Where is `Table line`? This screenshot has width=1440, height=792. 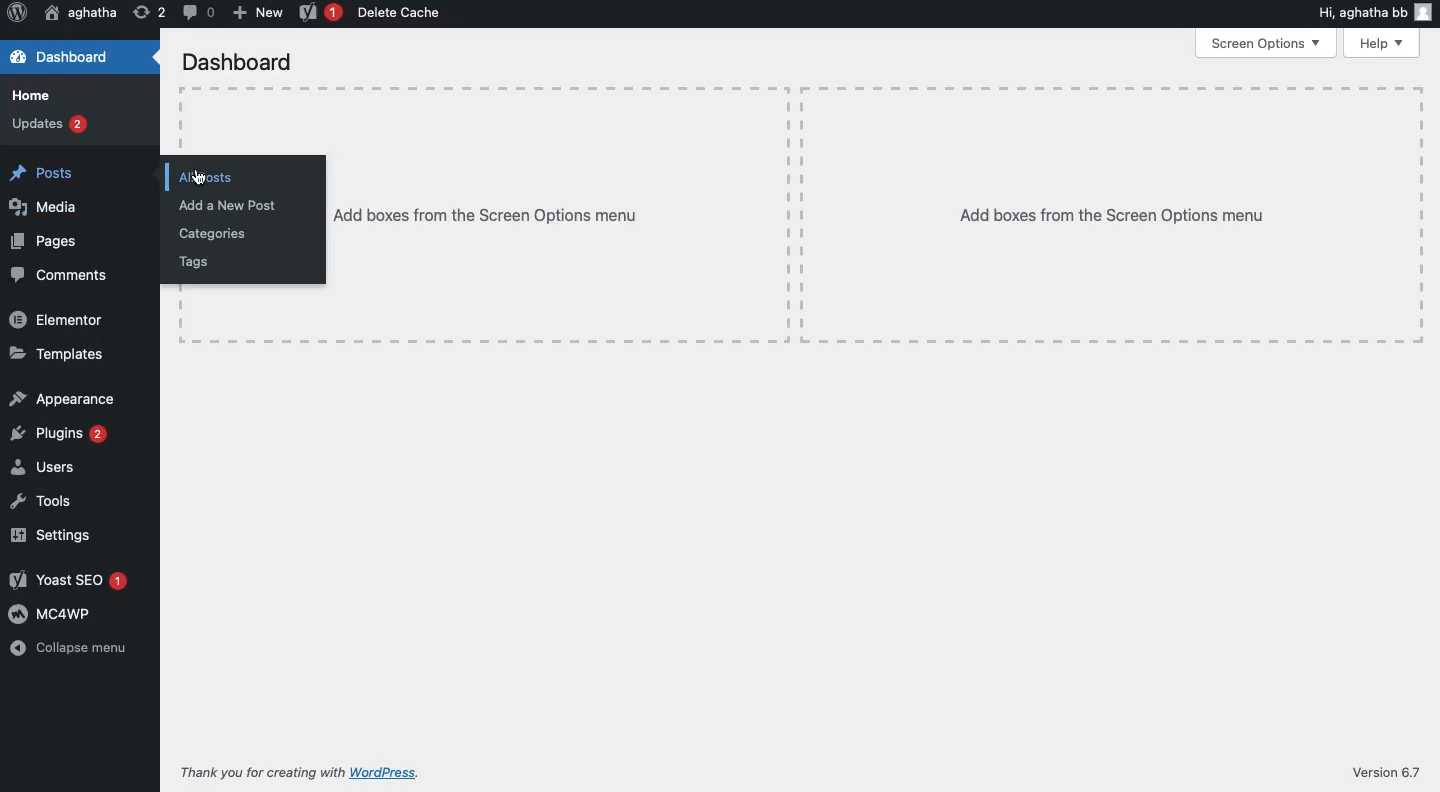
Table line is located at coordinates (181, 307).